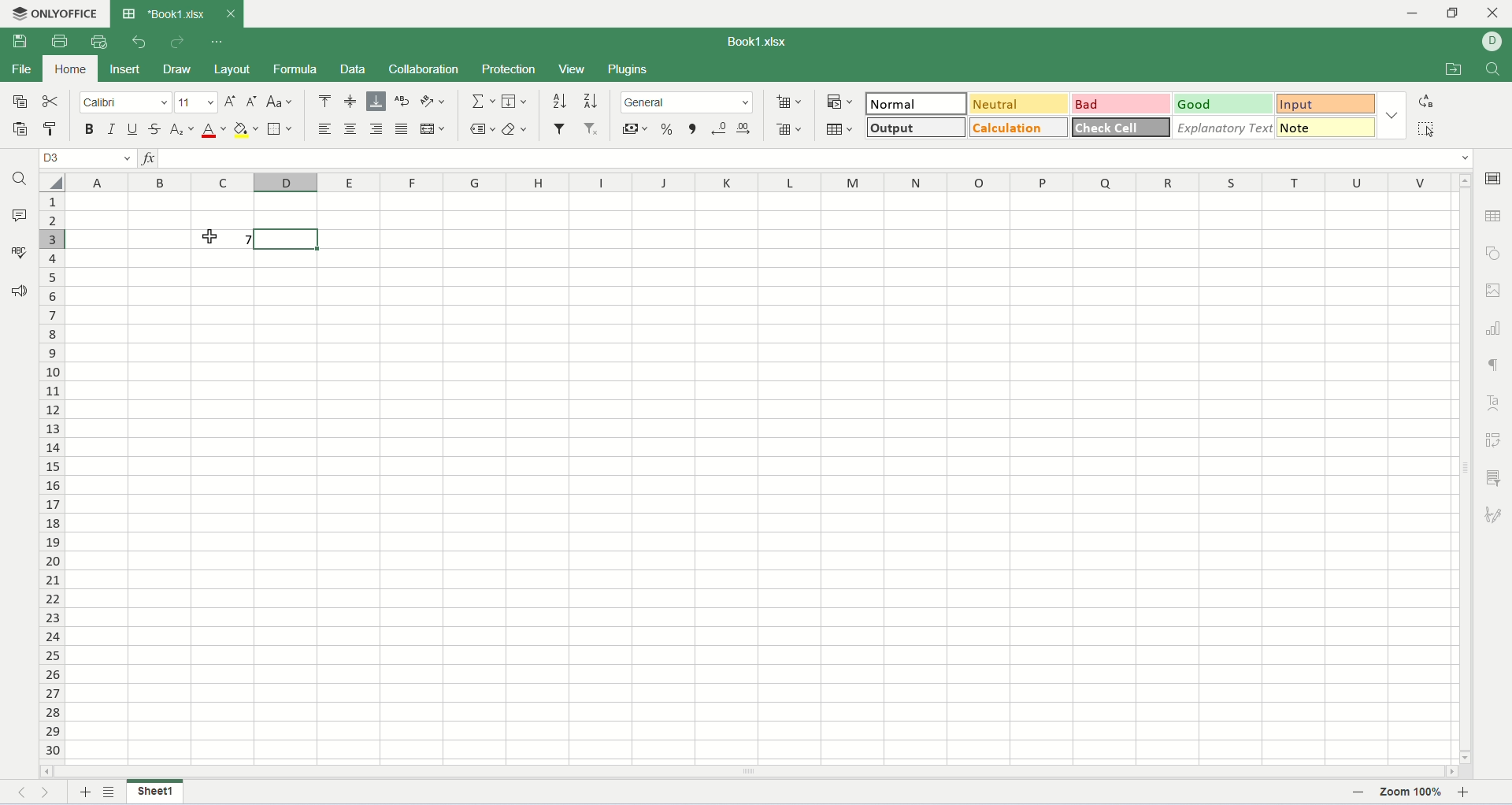 The image size is (1512, 805). I want to click on print, so click(59, 42).